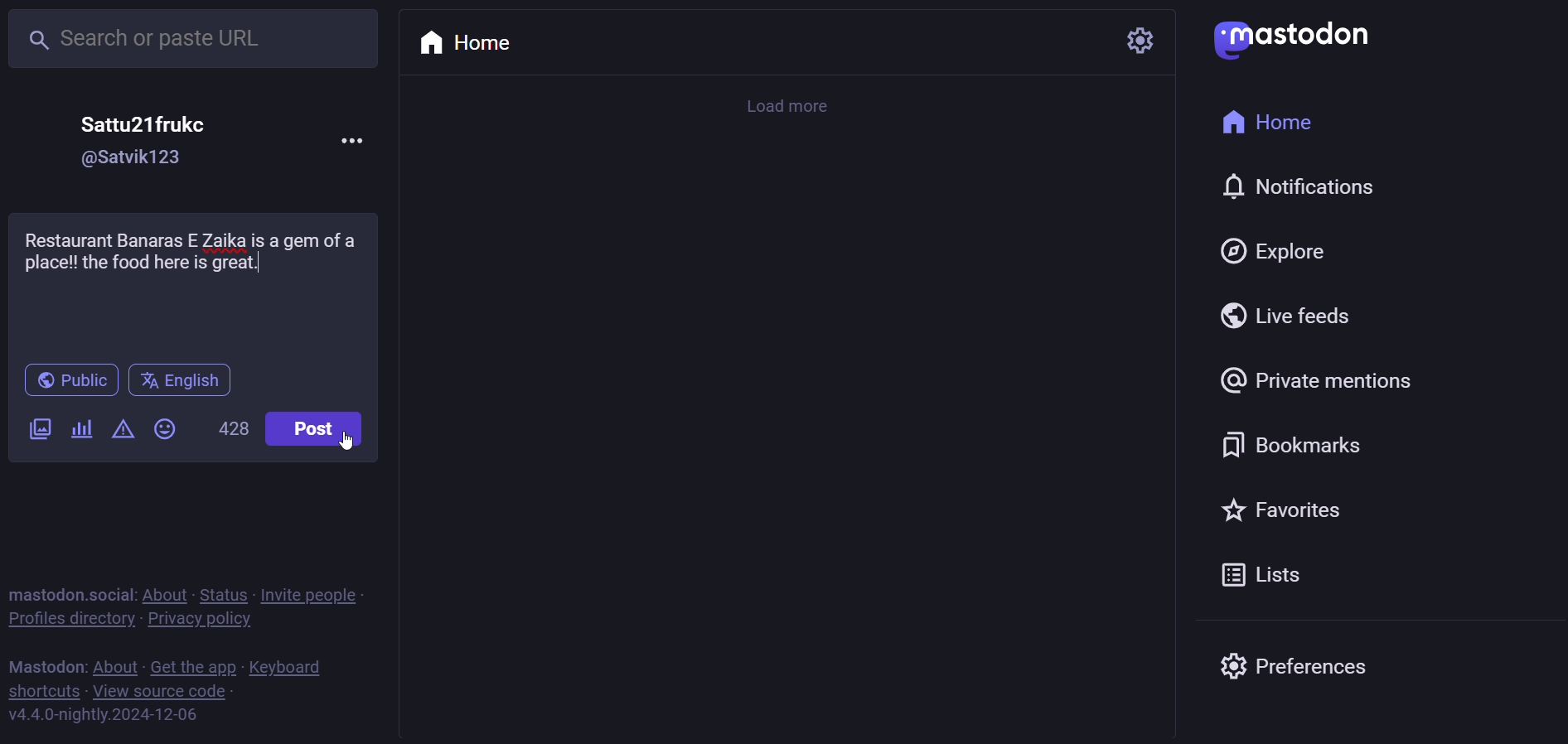 This screenshot has width=1568, height=744. What do you see at coordinates (167, 593) in the screenshot?
I see `About` at bounding box center [167, 593].